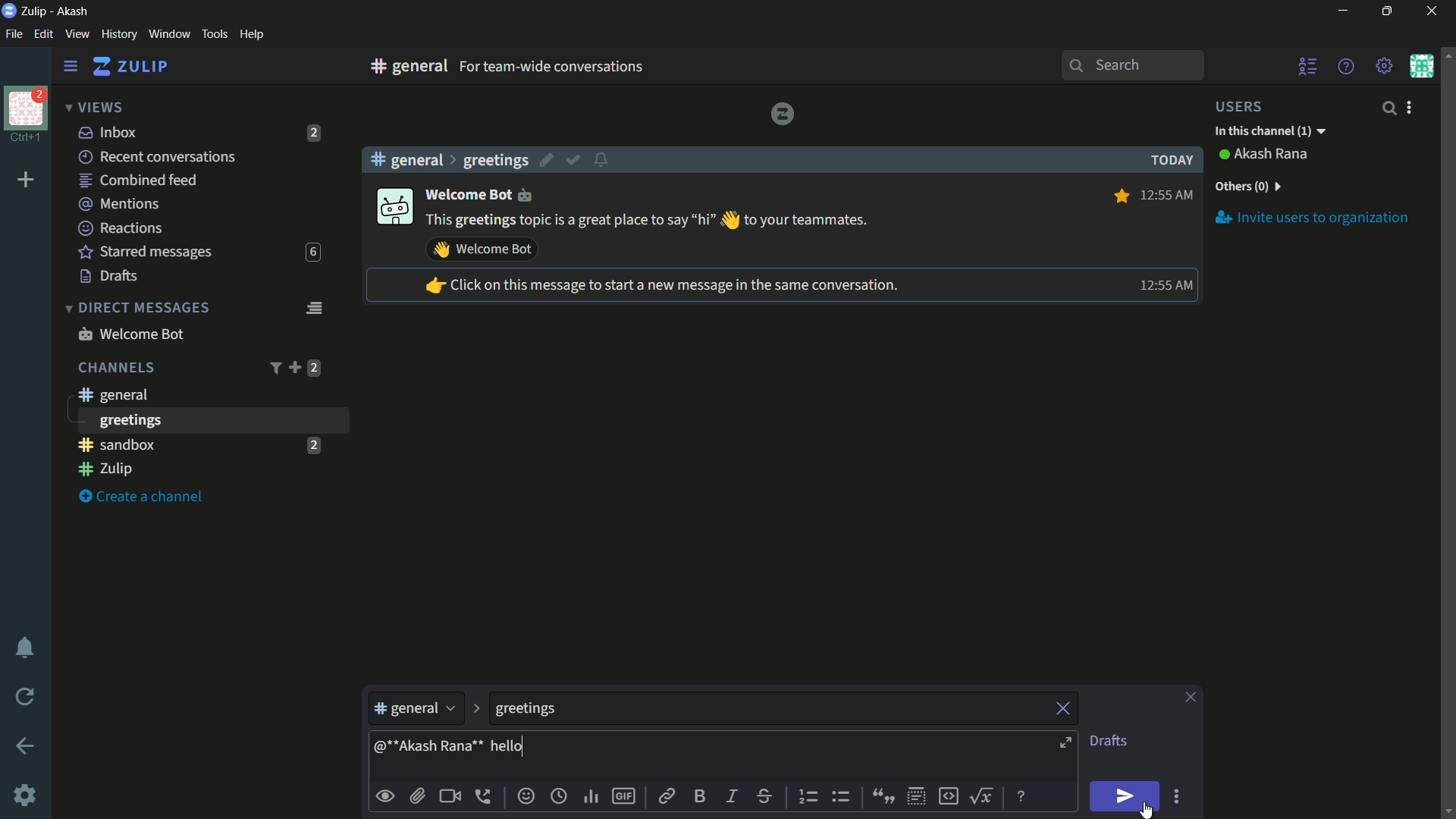 The image size is (1456, 819). Describe the element at coordinates (948, 795) in the screenshot. I see `code` at that location.